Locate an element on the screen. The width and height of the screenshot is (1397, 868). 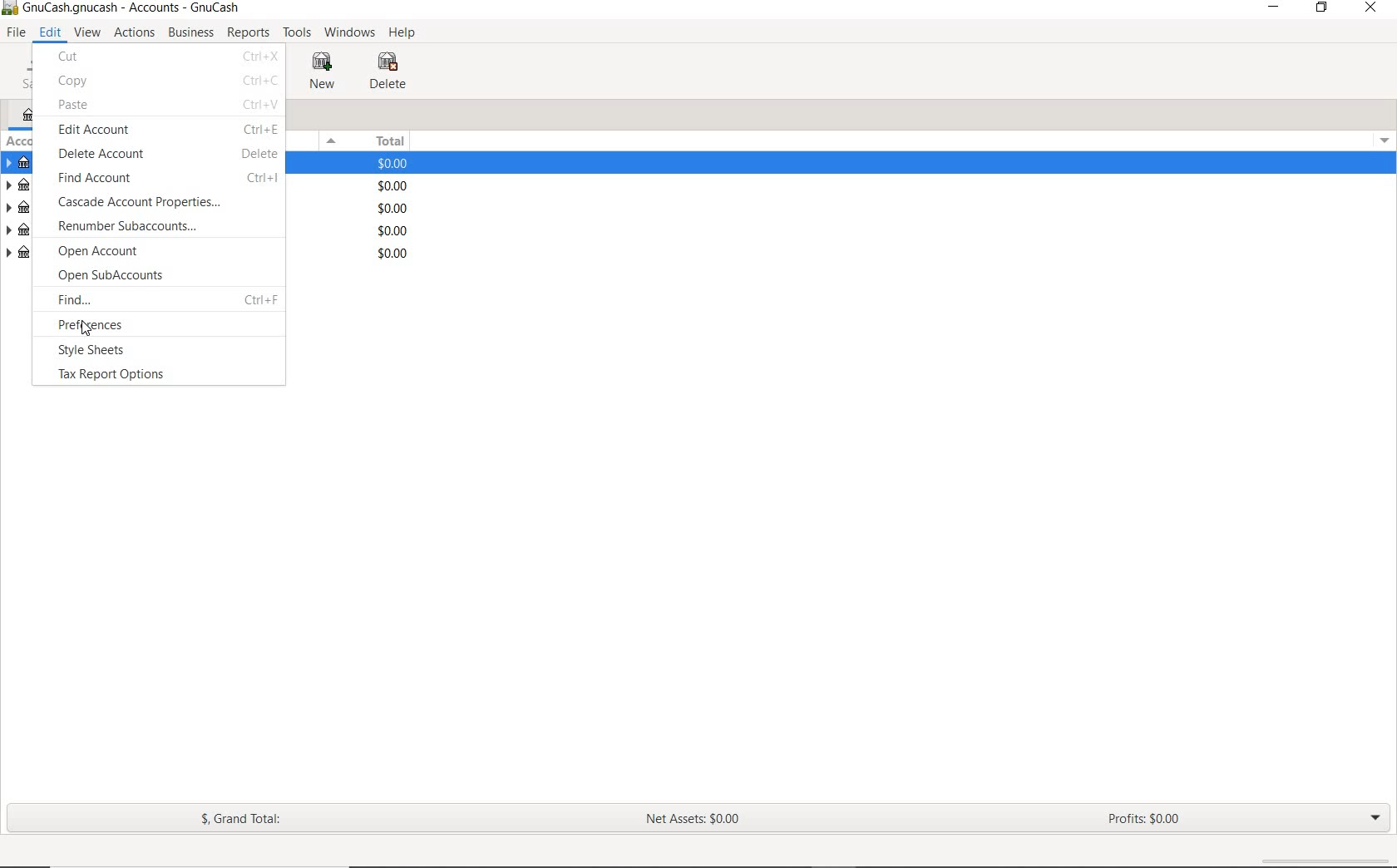
CASCADE ACCOUNT PROPERTIES is located at coordinates (161, 204).